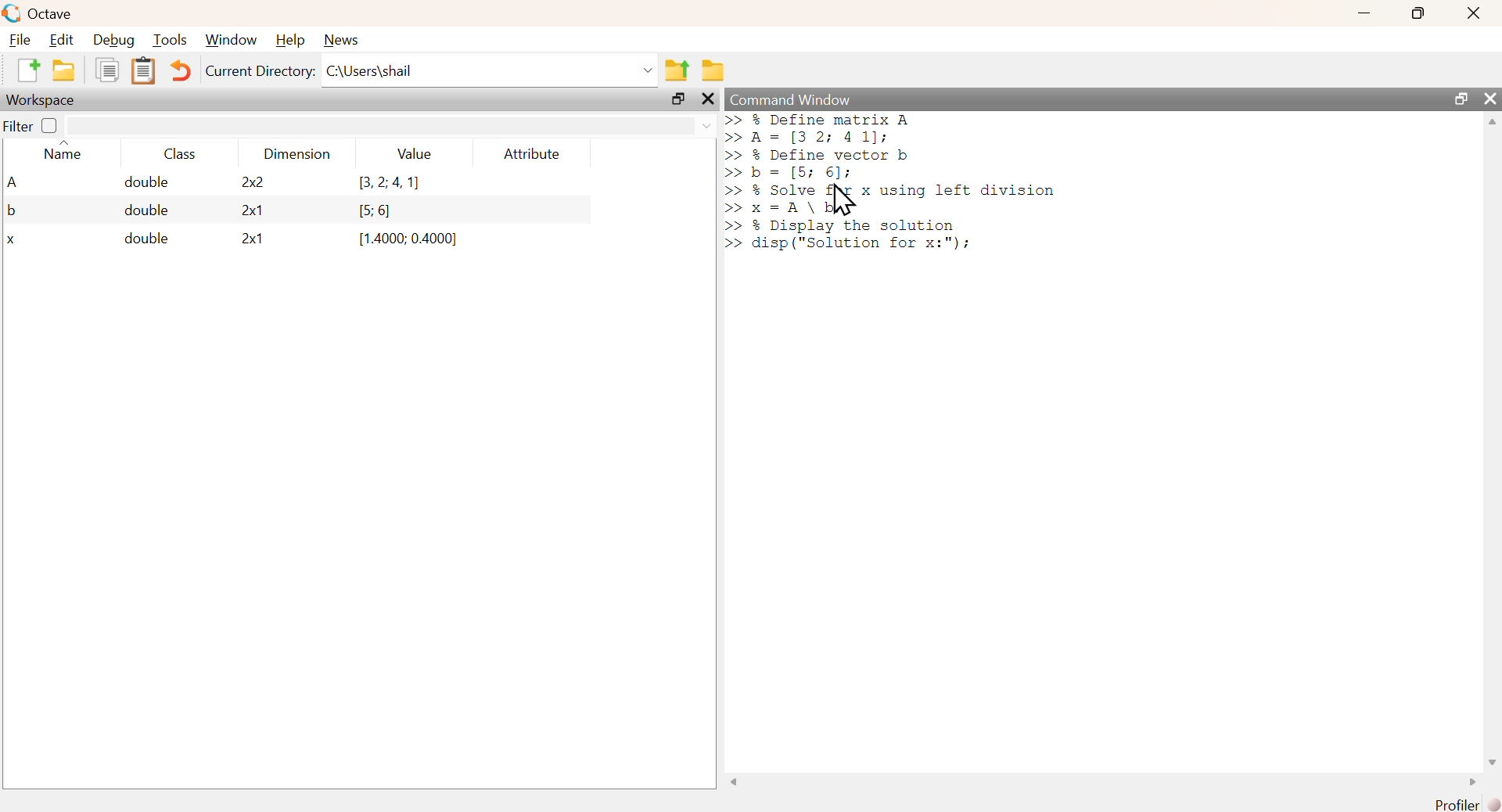  I want to click on one directory up, so click(679, 70).